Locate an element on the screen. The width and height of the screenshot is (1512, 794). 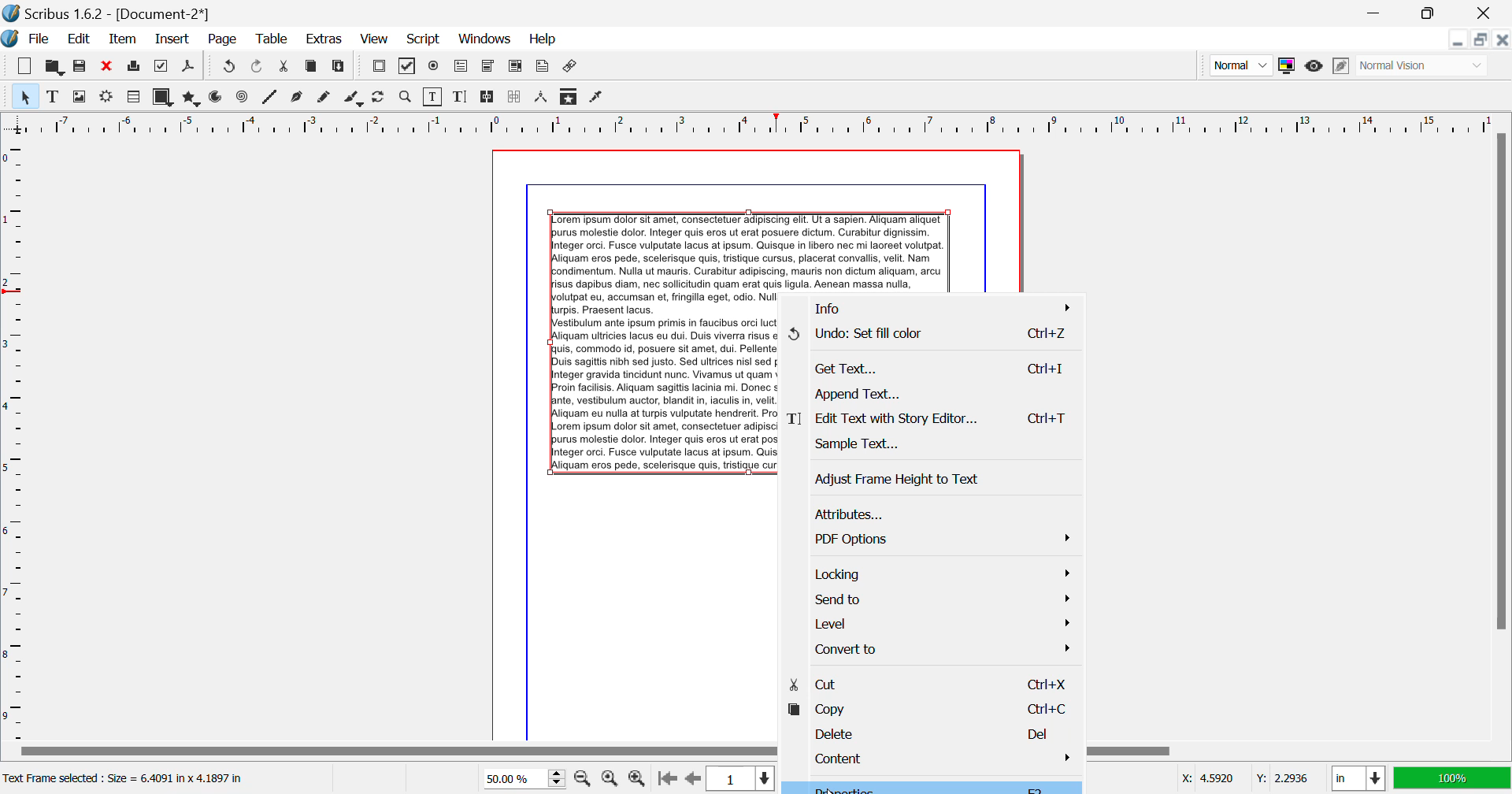
Paste is located at coordinates (340, 69).